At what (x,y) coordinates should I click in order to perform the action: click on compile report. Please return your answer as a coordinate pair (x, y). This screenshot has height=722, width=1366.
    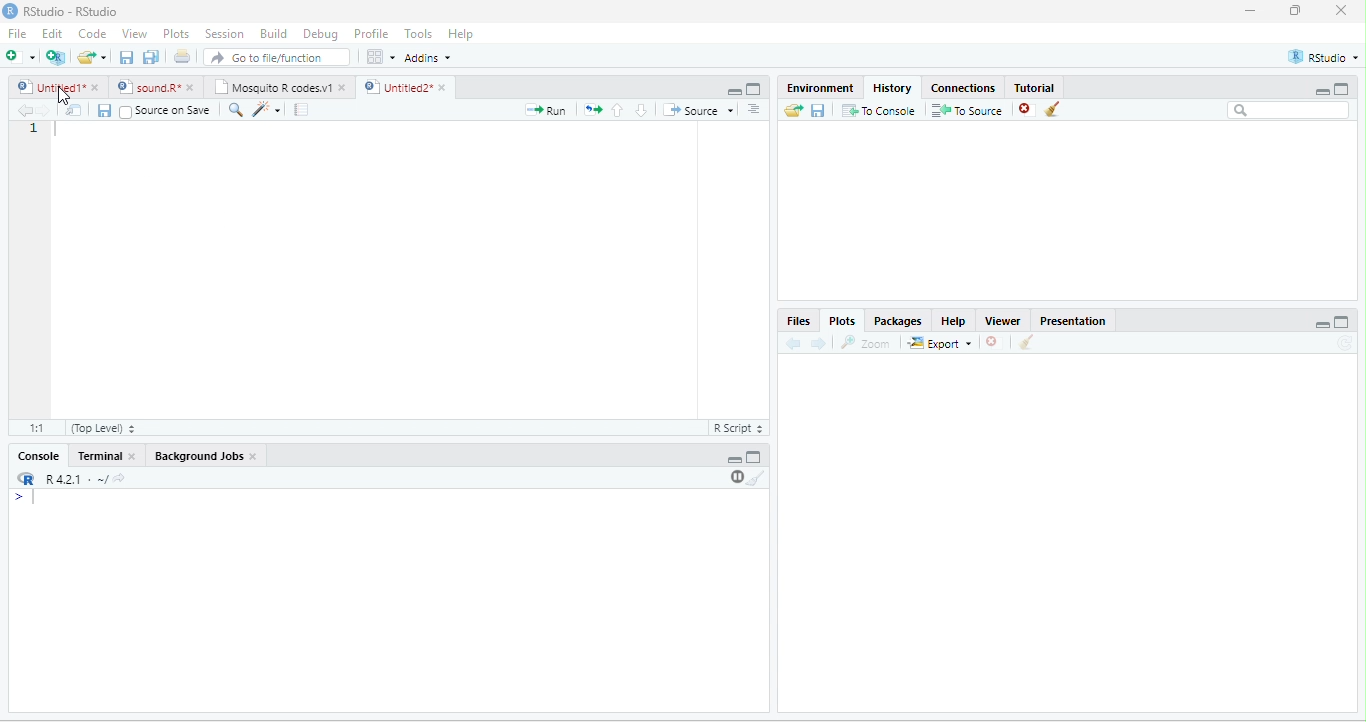
    Looking at the image, I should click on (301, 109).